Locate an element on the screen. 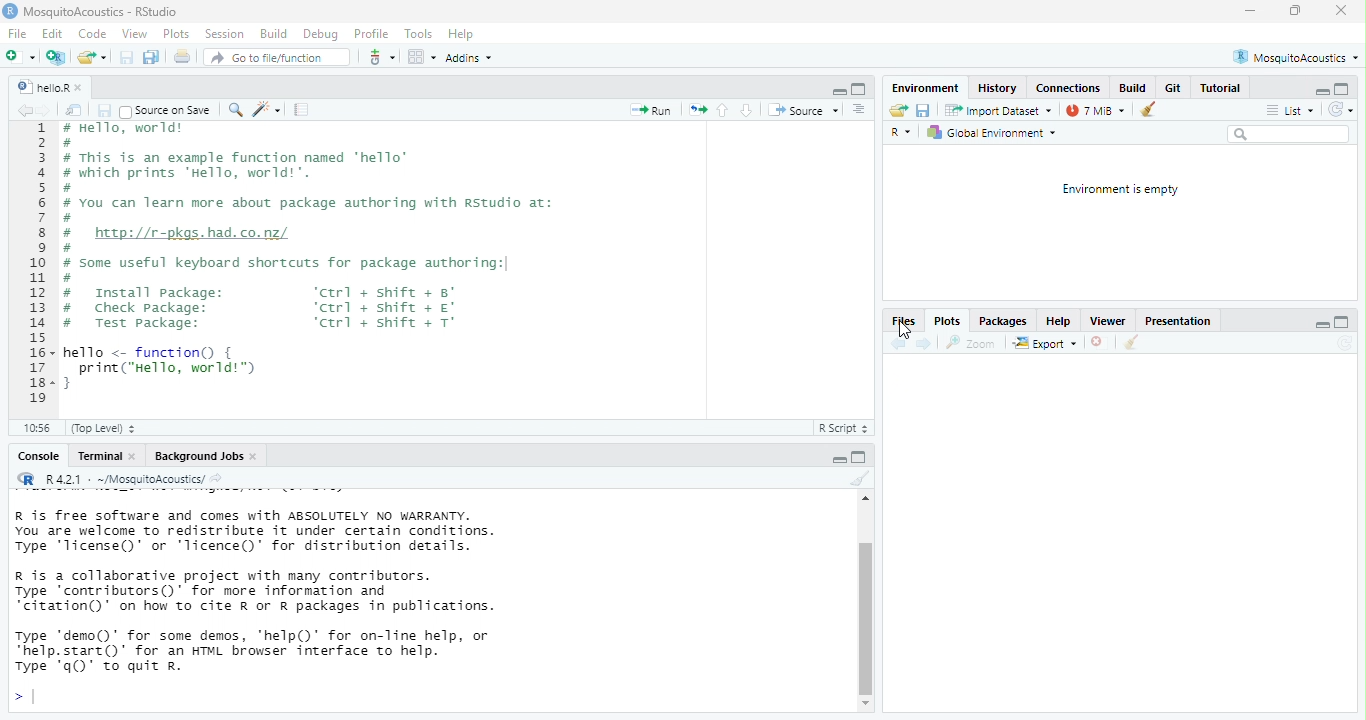 The image size is (1366, 720). typing cursor is located at coordinates (30, 696).